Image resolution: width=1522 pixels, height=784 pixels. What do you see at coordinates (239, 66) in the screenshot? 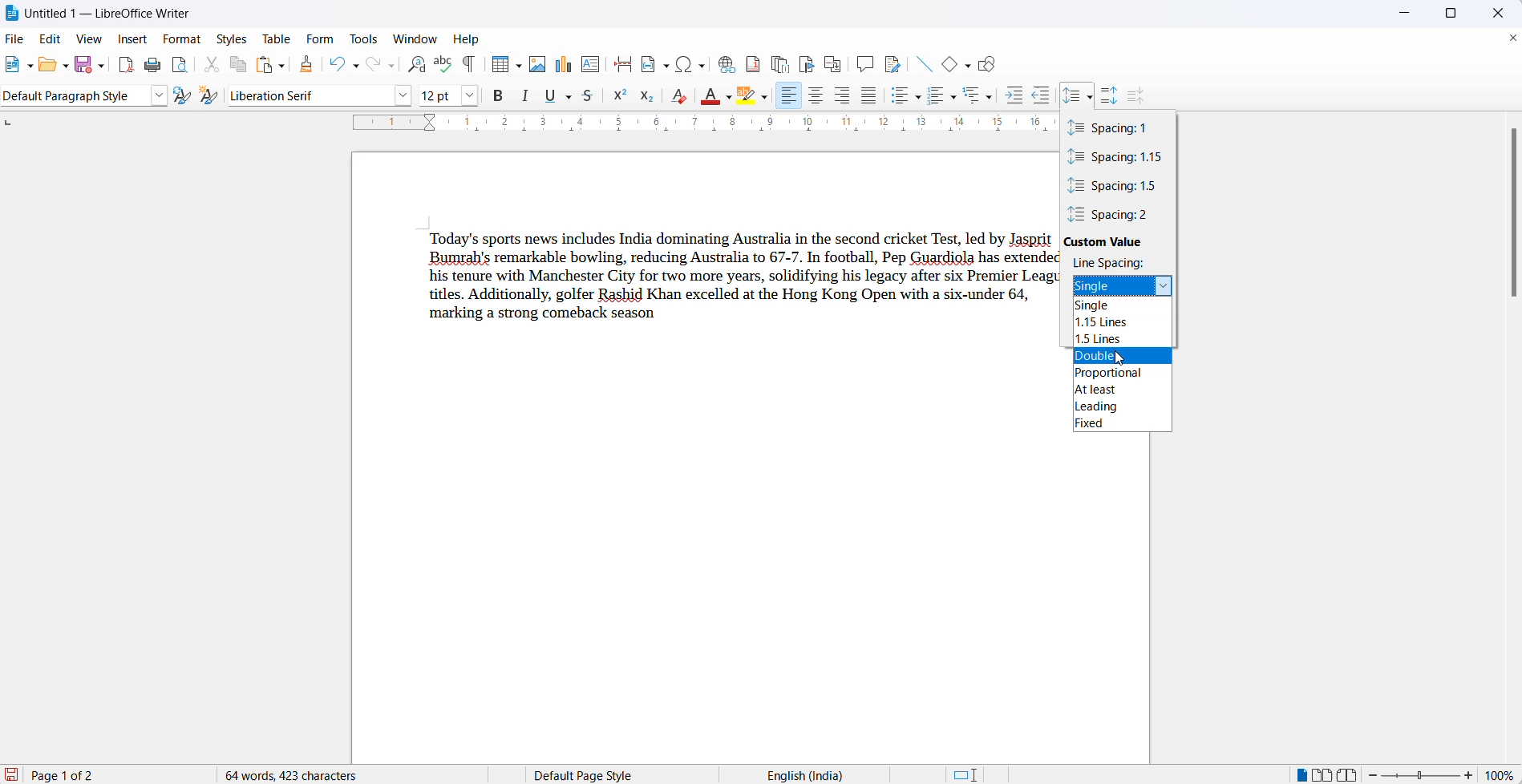
I see `copy` at bounding box center [239, 66].